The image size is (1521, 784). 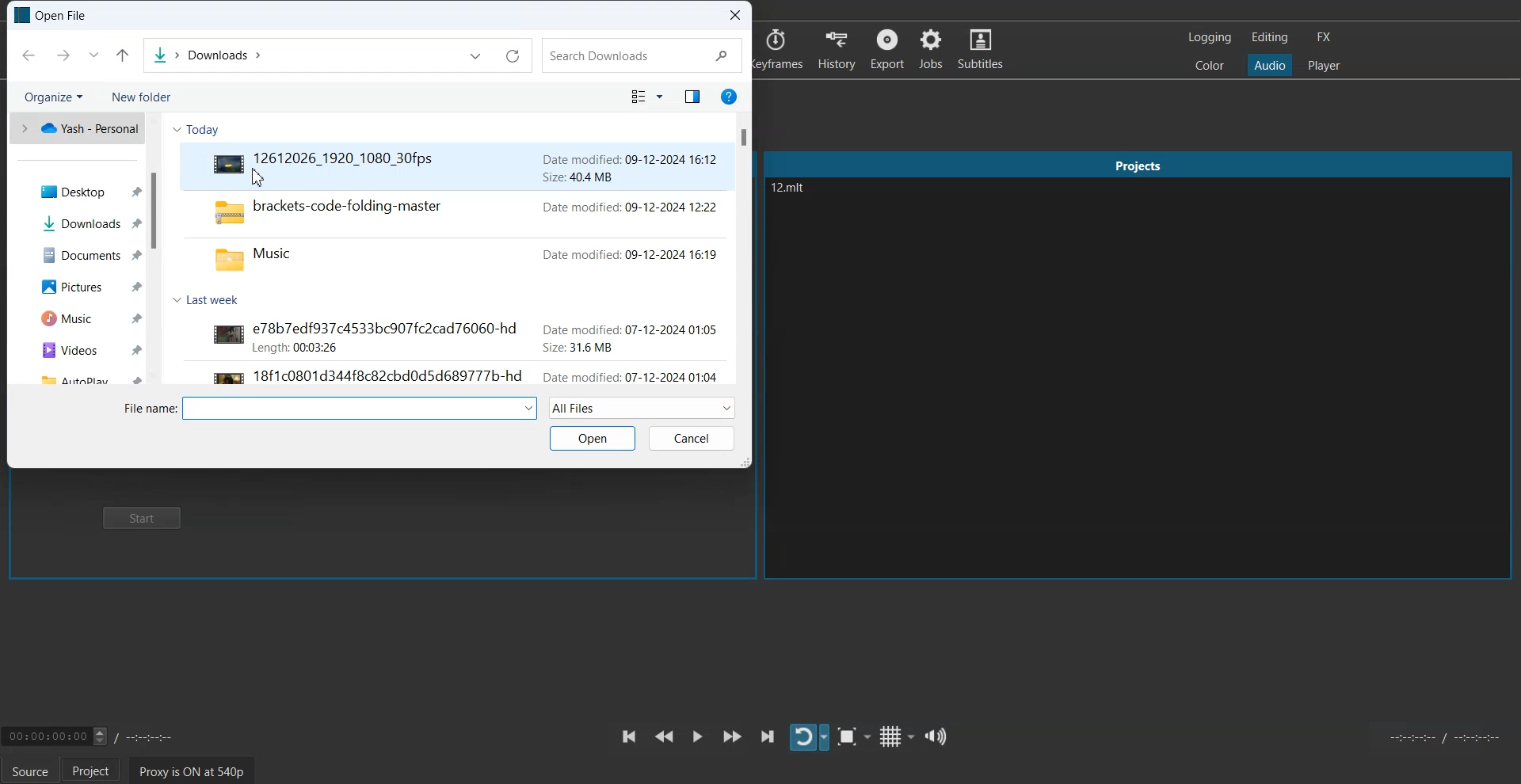 I want to click on Files, so click(x=79, y=376).